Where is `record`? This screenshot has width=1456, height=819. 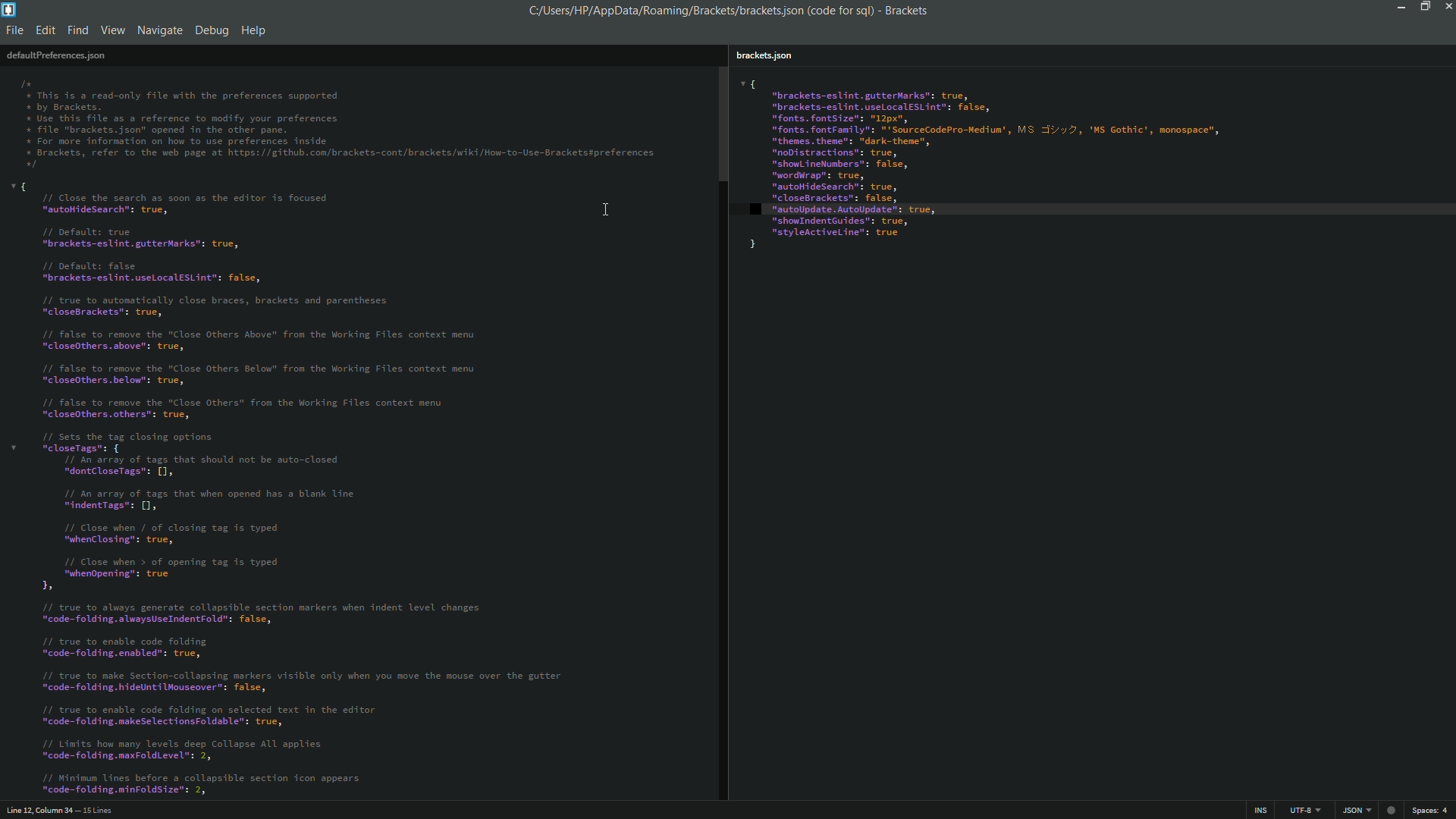
record is located at coordinates (1393, 808).